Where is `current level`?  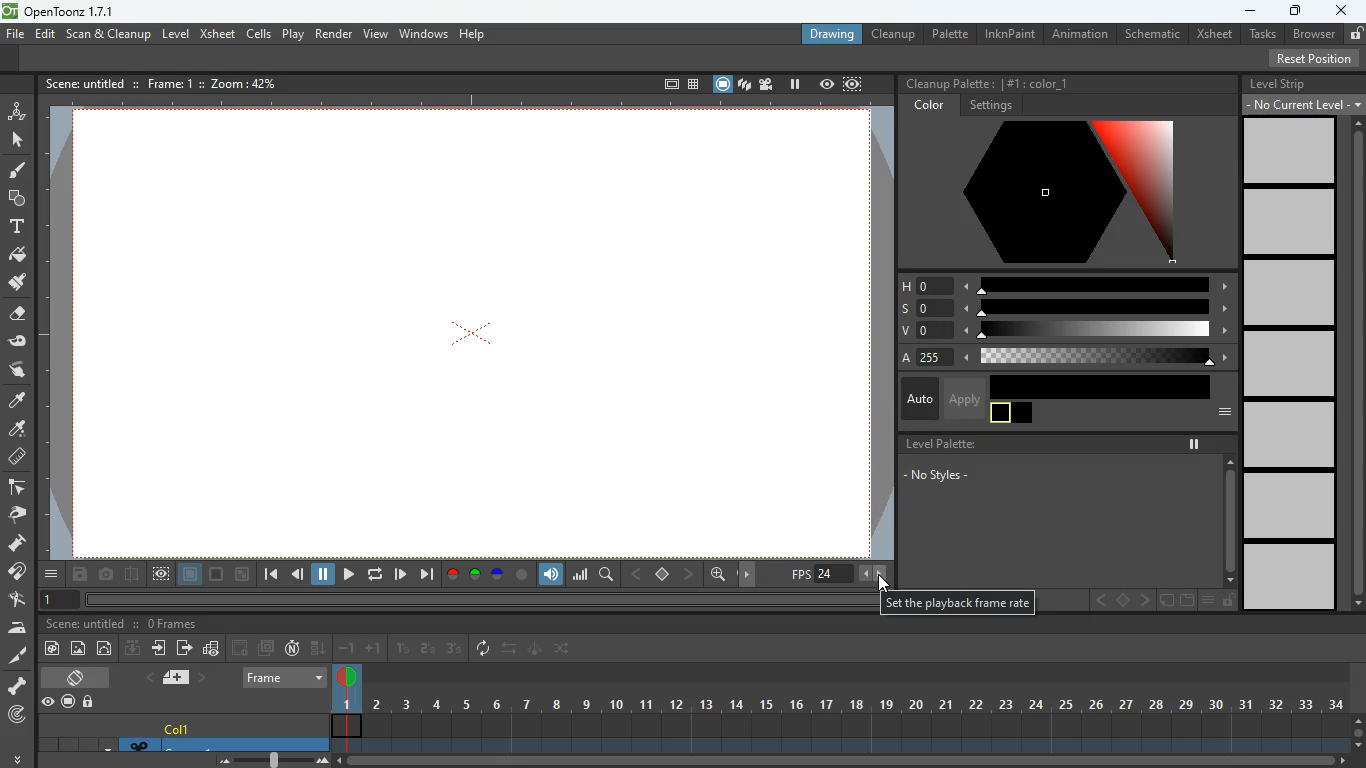 current level is located at coordinates (1303, 104).